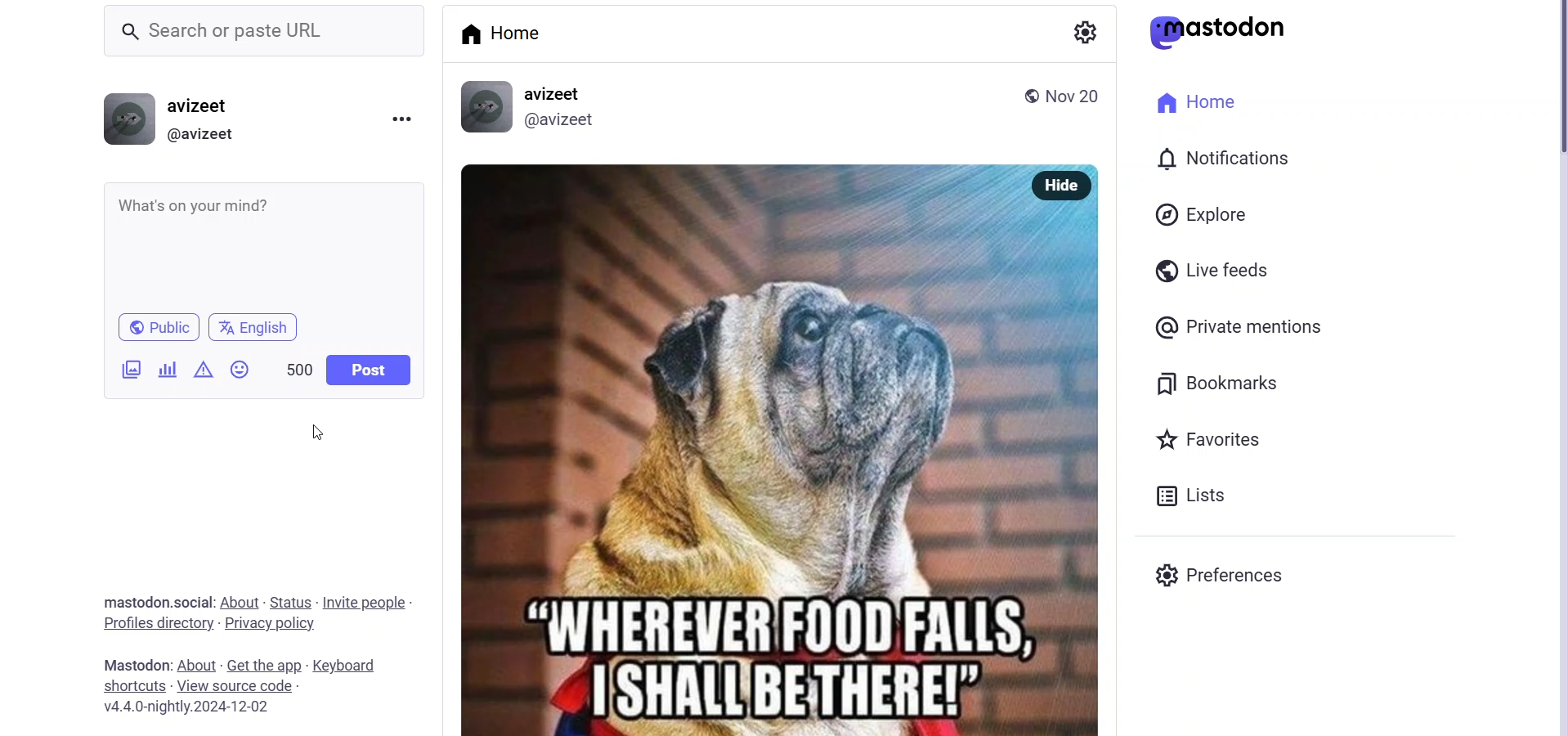  Describe the element at coordinates (129, 371) in the screenshot. I see `add images` at that location.